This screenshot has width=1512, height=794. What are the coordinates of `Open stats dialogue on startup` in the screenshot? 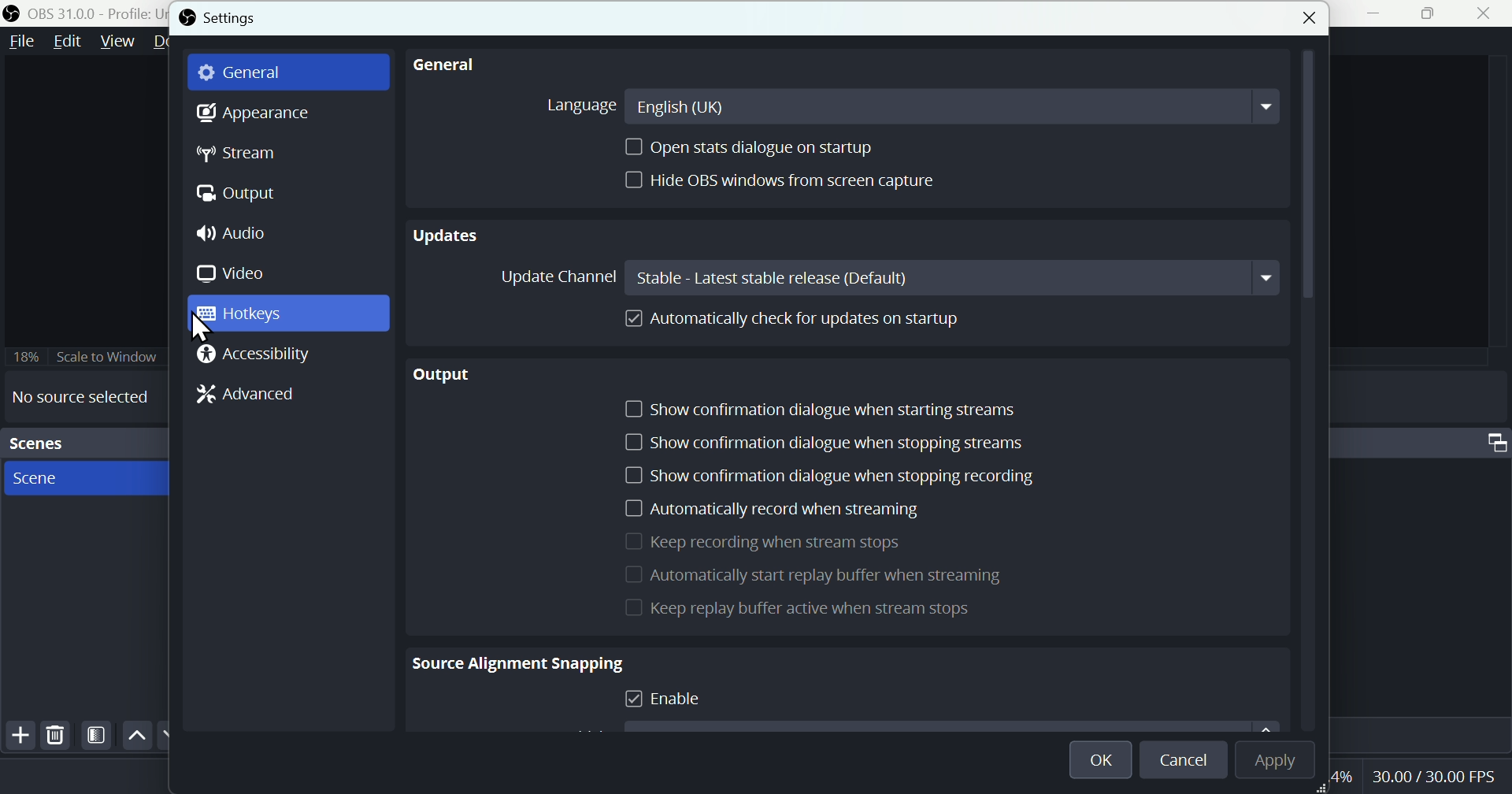 It's located at (750, 149).